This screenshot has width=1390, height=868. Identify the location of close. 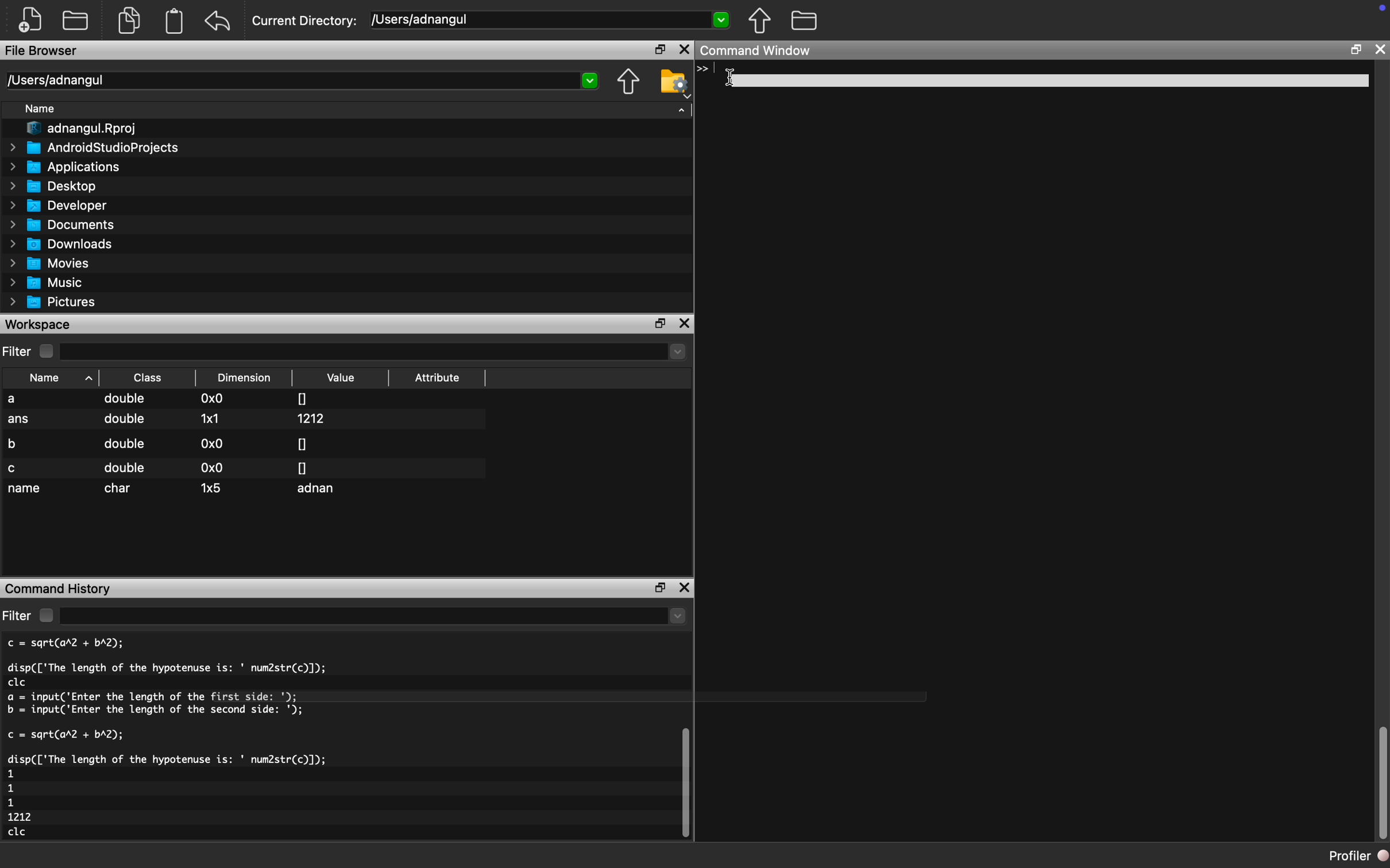
(687, 324).